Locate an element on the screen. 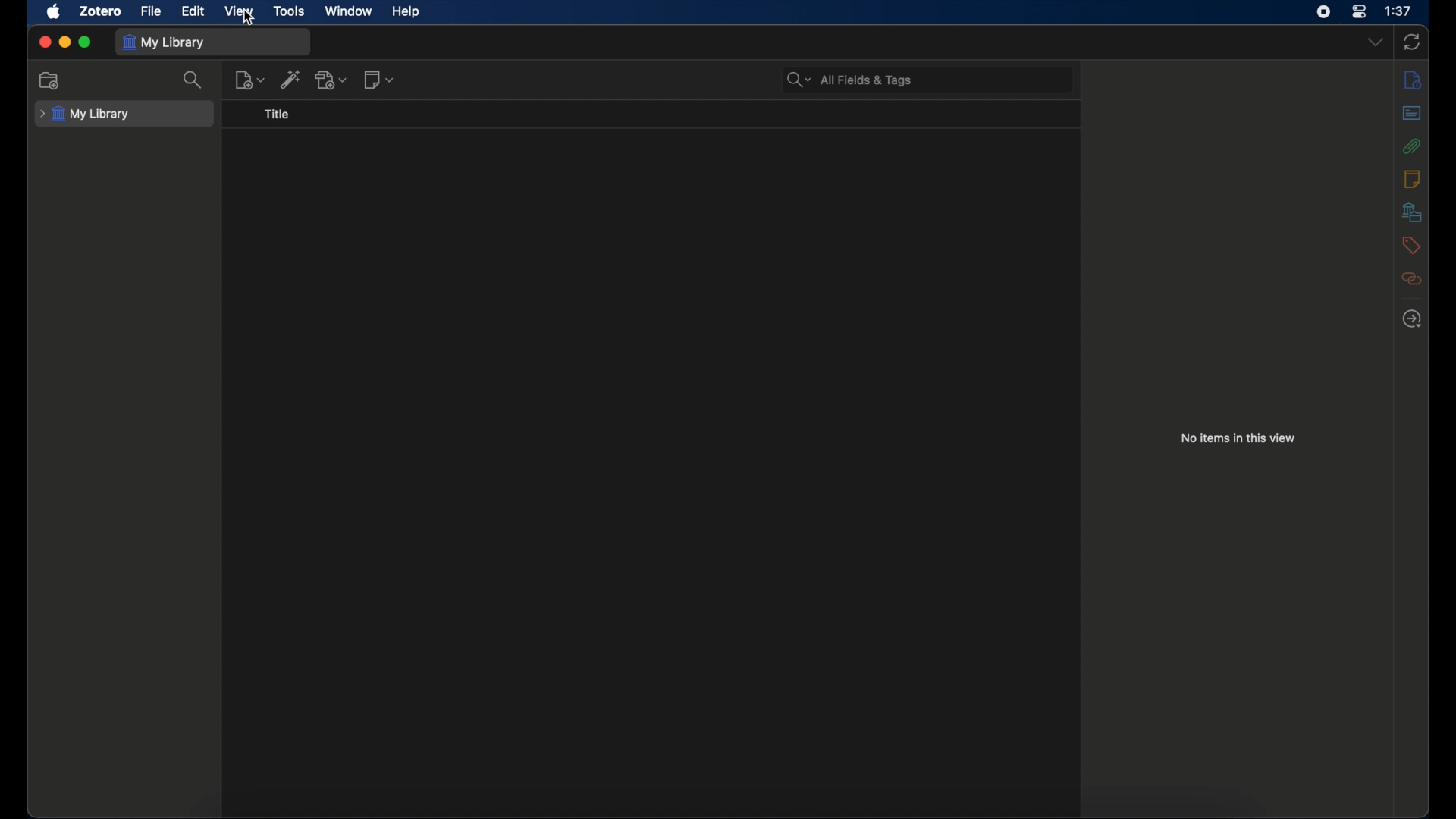 This screenshot has height=819, width=1456. tags is located at coordinates (1411, 246).